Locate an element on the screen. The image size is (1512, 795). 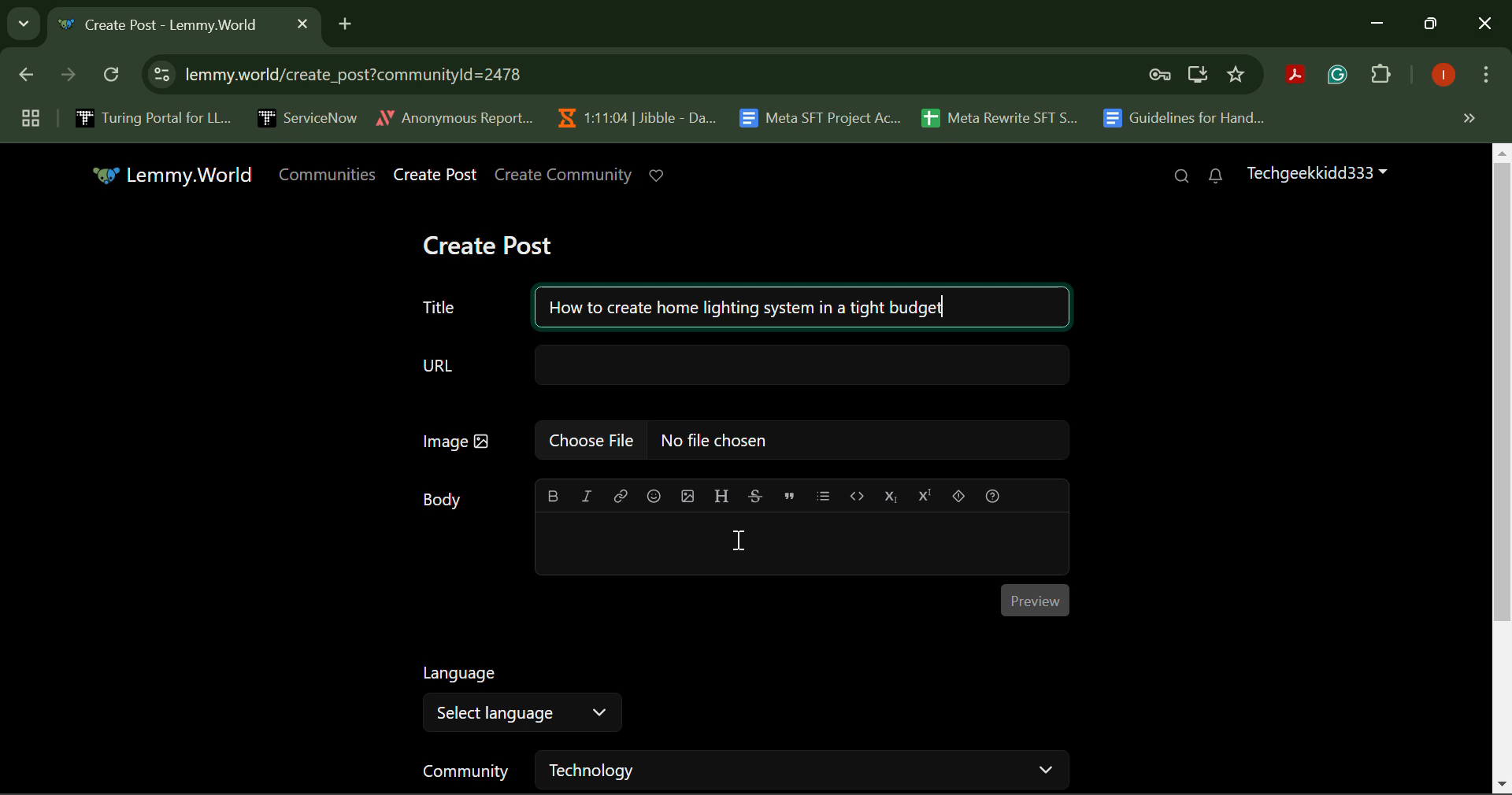
Techgeekkidd333 is located at coordinates (1315, 172).